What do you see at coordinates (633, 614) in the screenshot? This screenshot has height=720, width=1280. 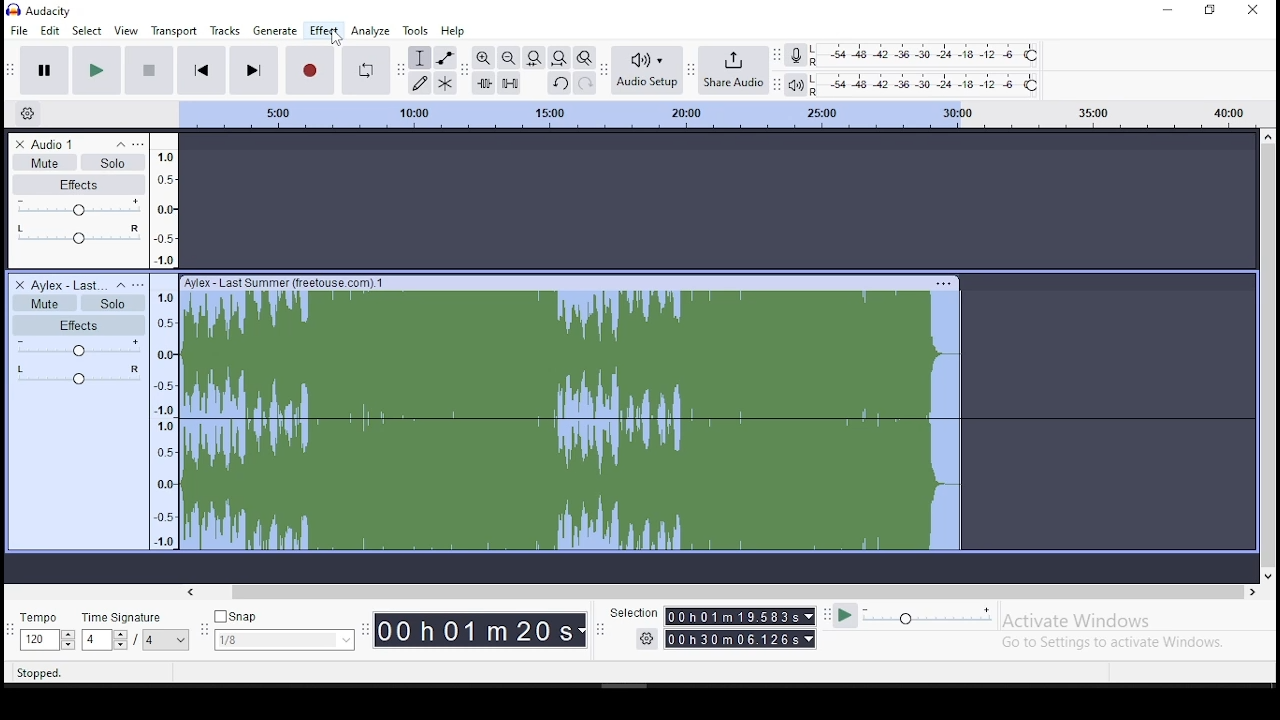 I see `selection` at bounding box center [633, 614].